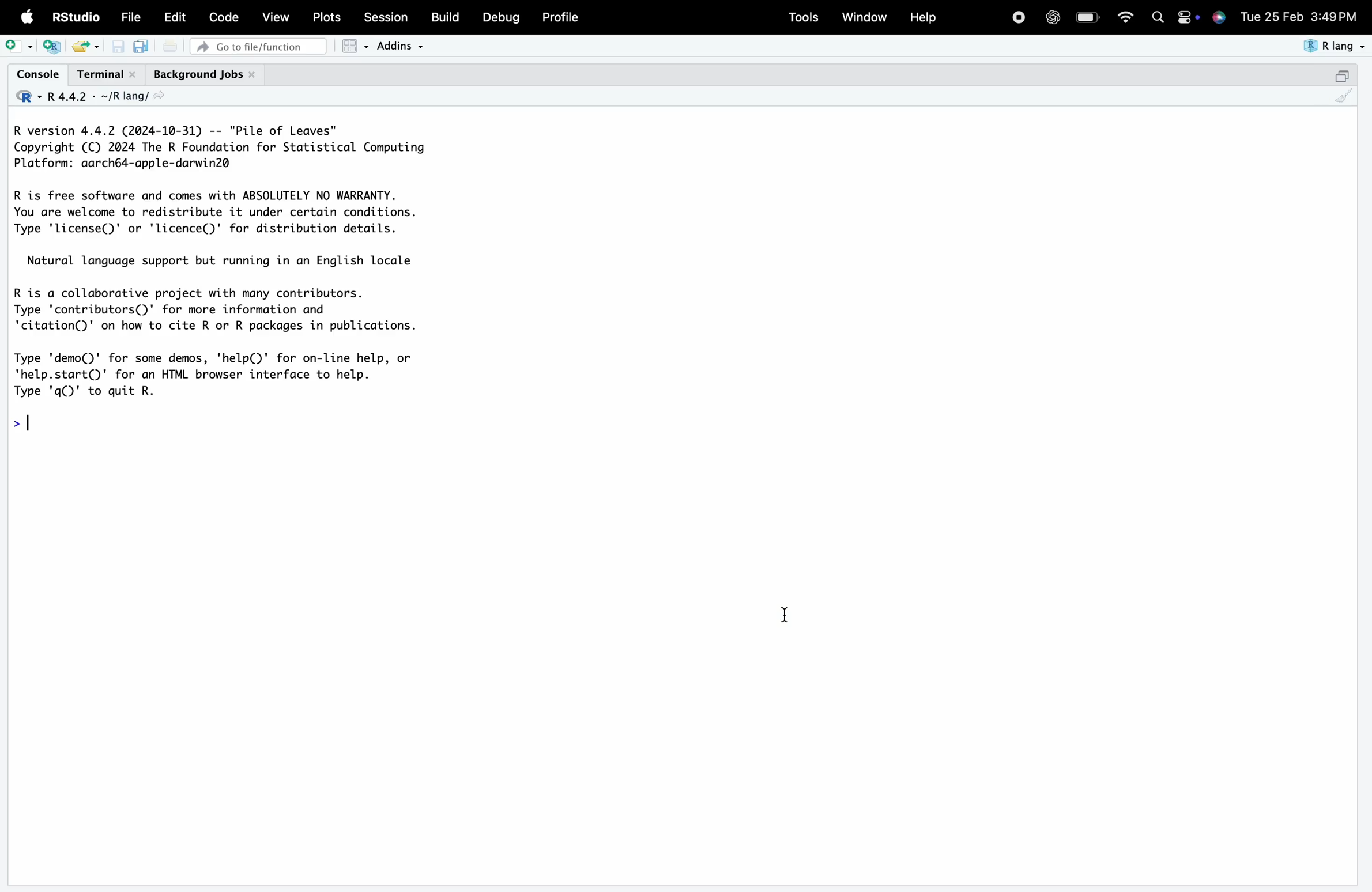 Image resolution: width=1372 pixels, height=892 pixels. What do you see at coordinates (235, 279) in the screenshot?
I see `R version 4.4.2 (2024-10-31) -- "Pile of Leaves"

Copyright (C) 2024 The R Foundation for Statistical Computing

Platform: aarch64-apple-darwin2@

R is free software and comes with ABSOLUTELY NO WARRANTY.

You are welcome to redistribute it under certain conditions.

Type 'license()' or 'licence()' for distribution details.
Natural language support but running in an English locale

R is a collaborative project with many contributors.

Type 'contributors()' for more information and

'citation()' on how to cite R or R packages in publications.

Type 'demo()' for some demos, 'help()' for on-line help, or

'help.start()' for an HTML browser interface to help.

Type 'q()' to quit R.

>|` at bounding box center [235, 279].